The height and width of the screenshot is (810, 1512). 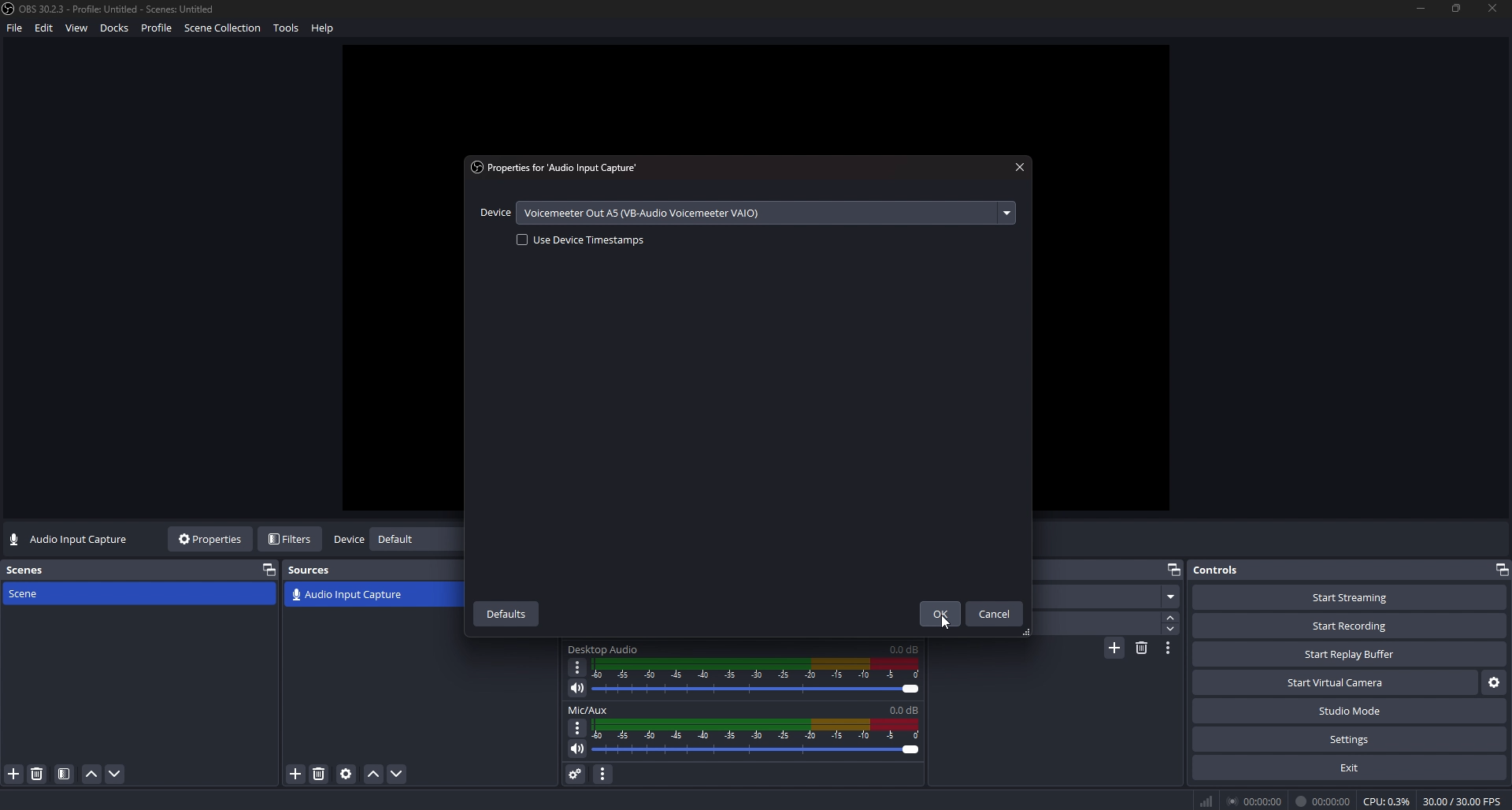 I want to click on minimise, so click(x=1499, y=567).